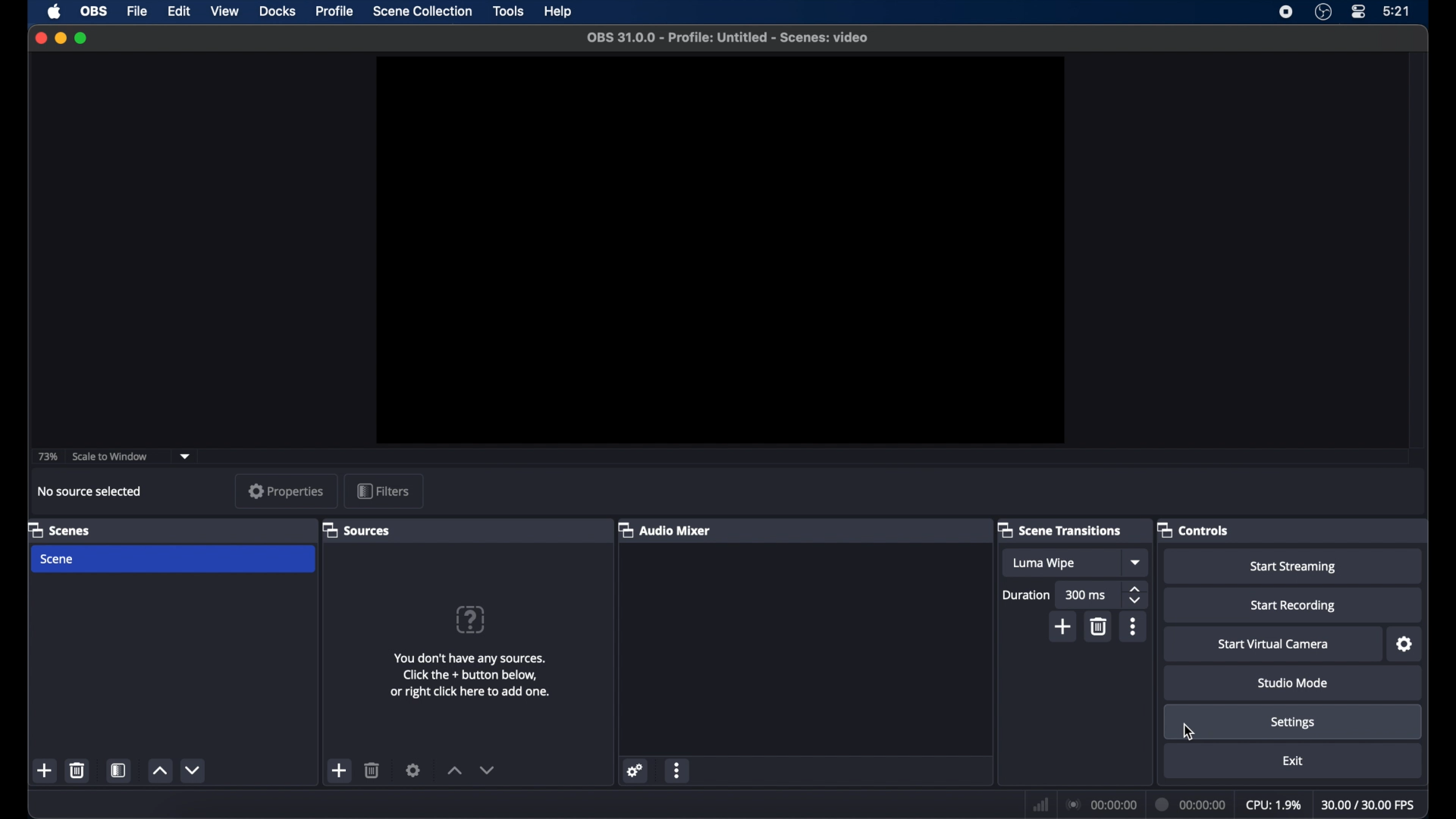  Describe the element at coordinates (1294, 685) in the screenshot. I see `studio mode` at that location.